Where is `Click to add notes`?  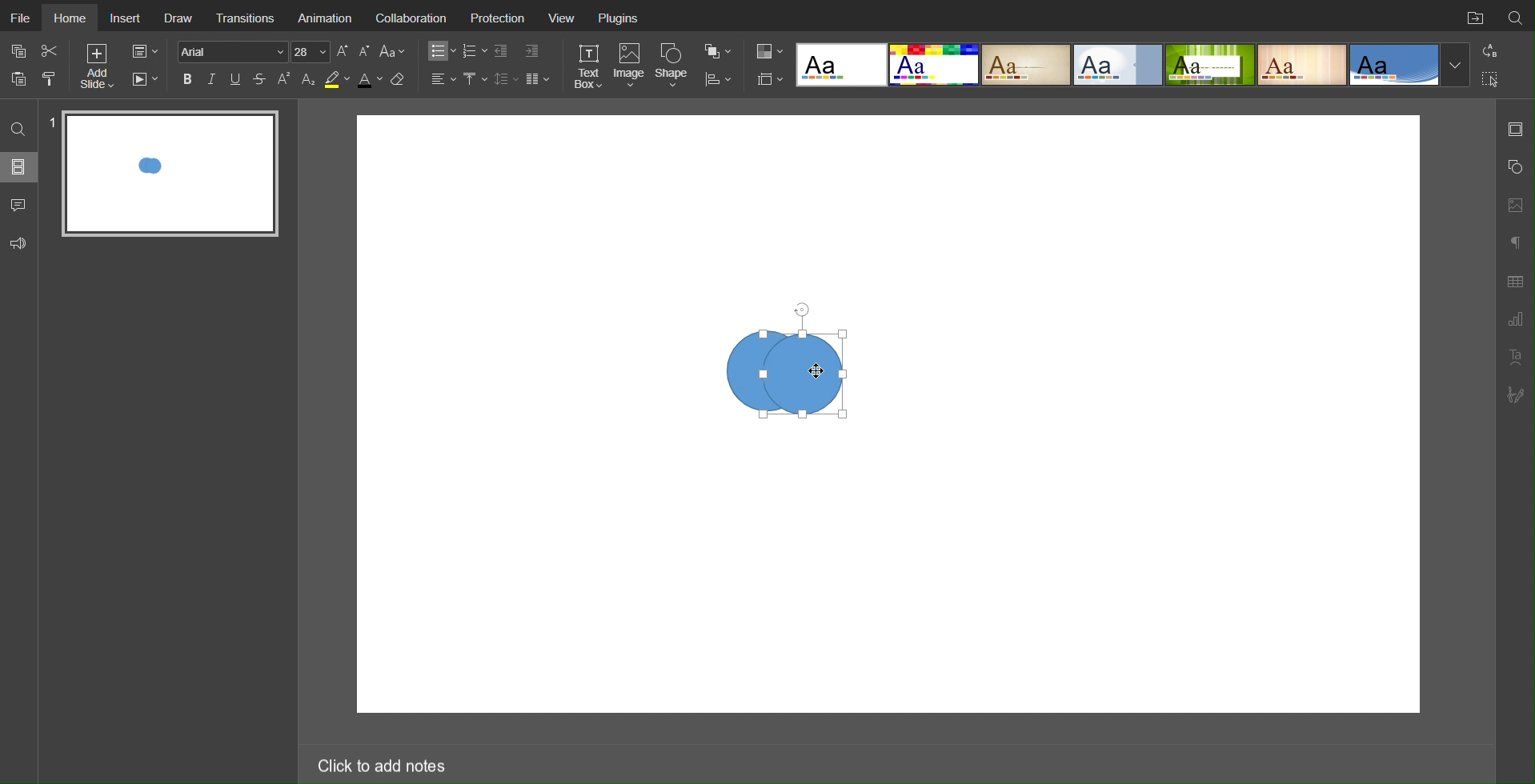 Click to add notes is located at coordinates (380, 762).